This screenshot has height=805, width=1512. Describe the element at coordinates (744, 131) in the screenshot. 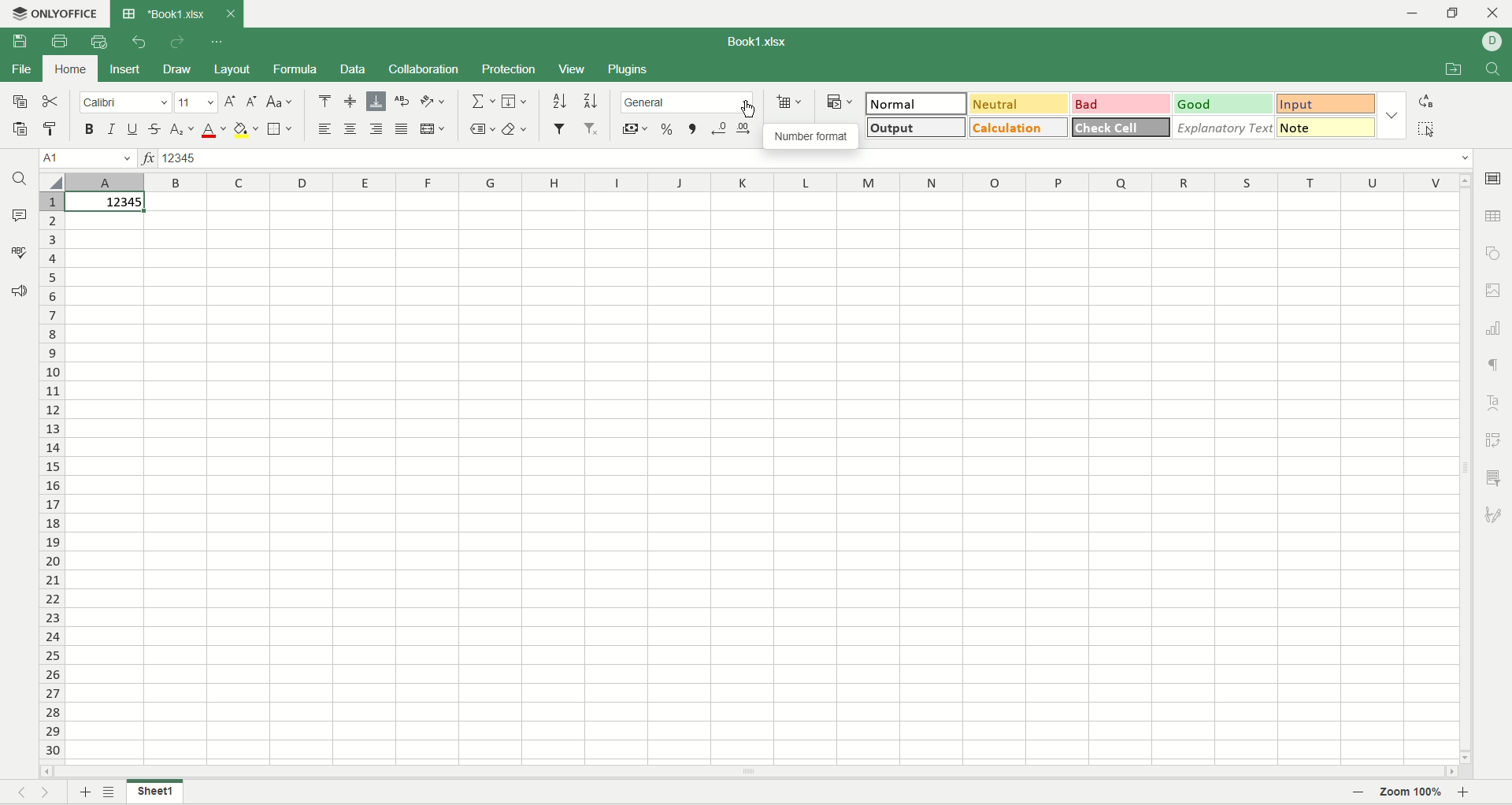

I see `increase decimal` at that location.